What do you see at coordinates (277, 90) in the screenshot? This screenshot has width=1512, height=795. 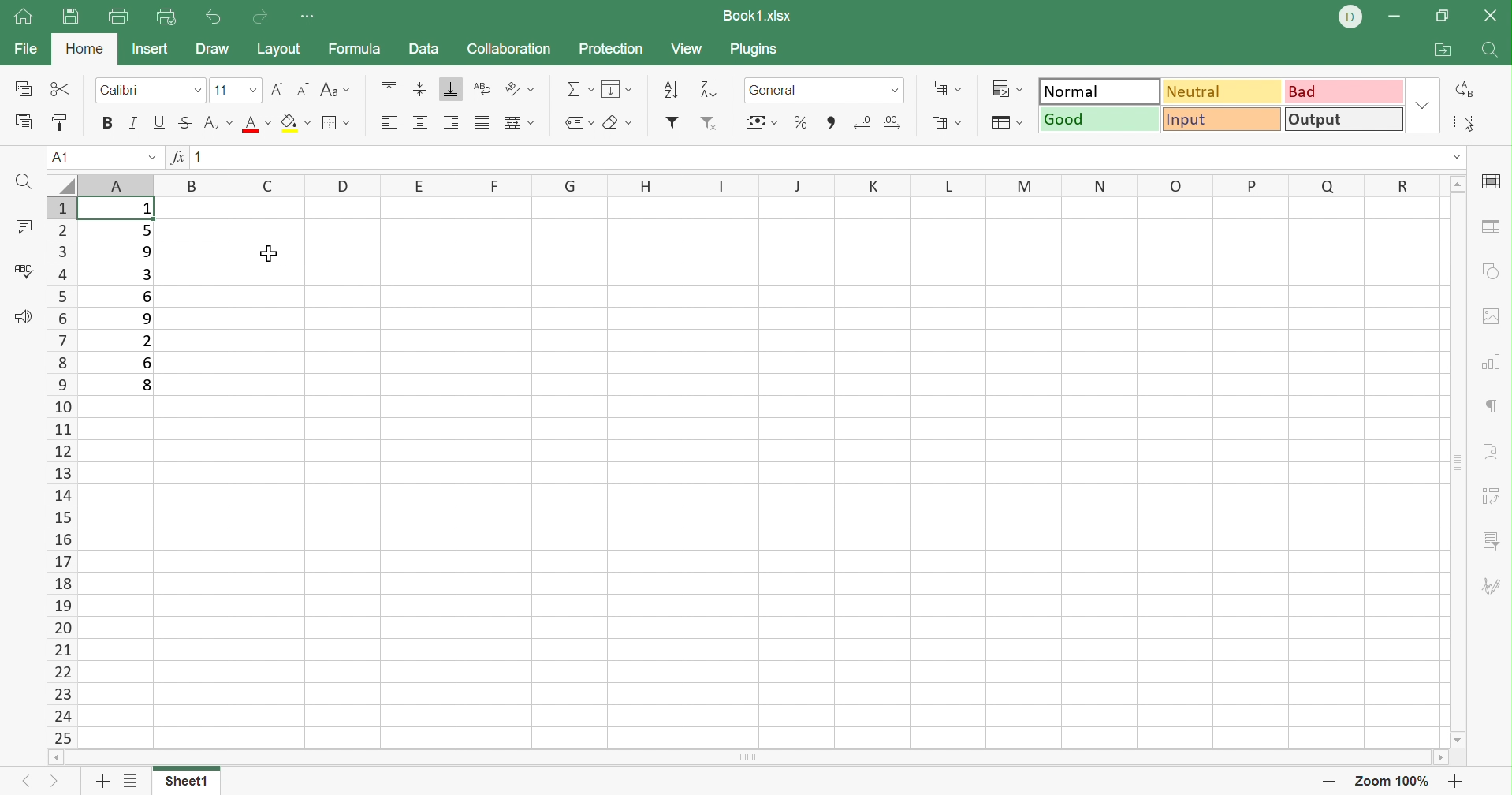 I see `Increment font size` at bounding box center [277, 90].